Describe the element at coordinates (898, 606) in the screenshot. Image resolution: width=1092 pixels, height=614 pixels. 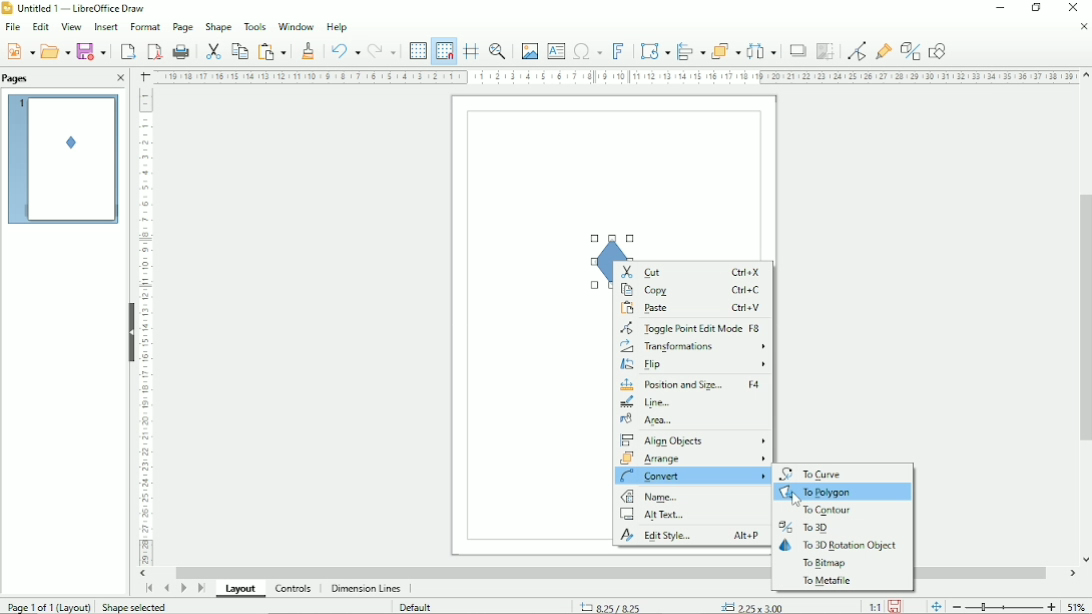
I see `Save` at that location.